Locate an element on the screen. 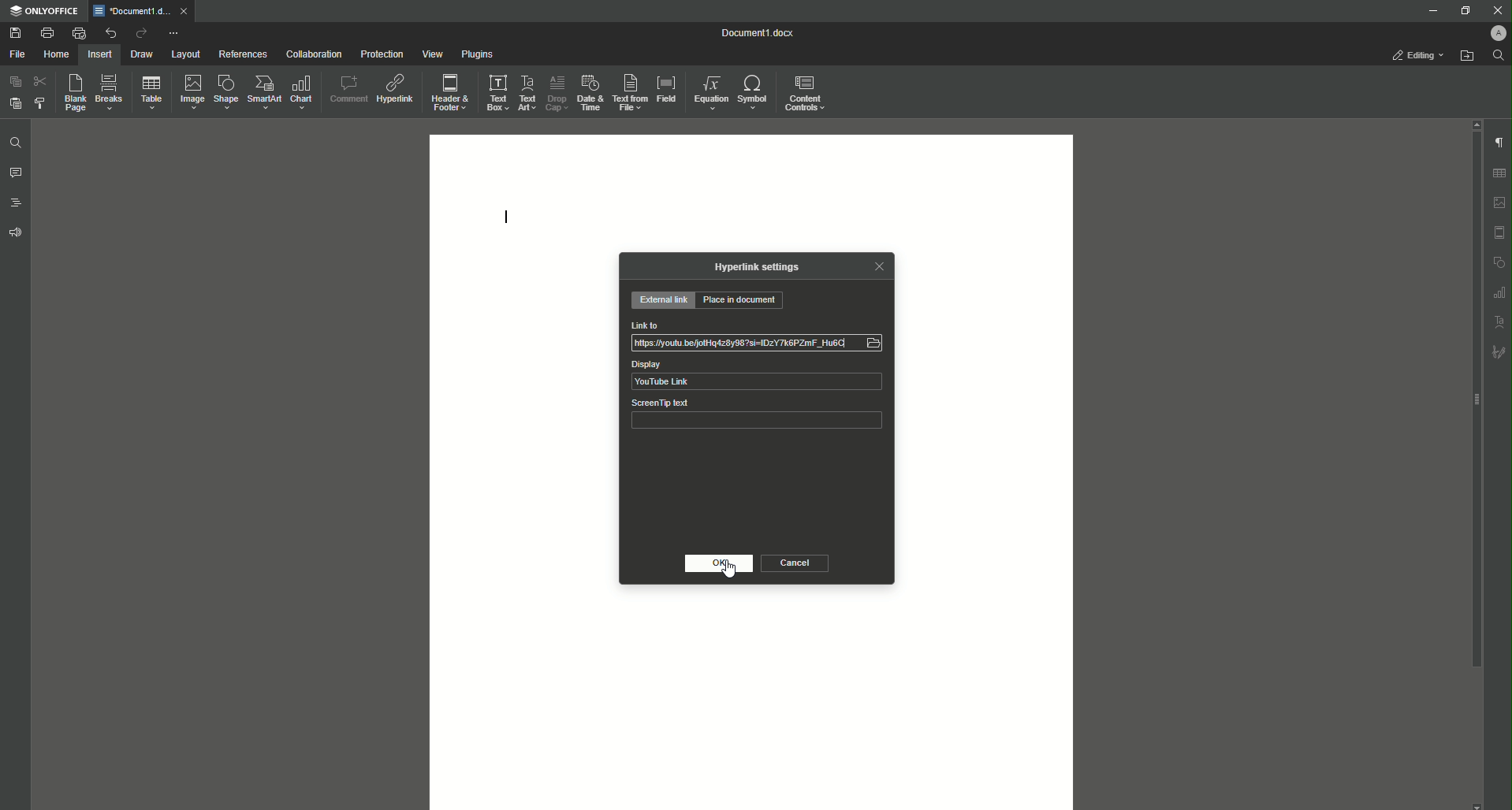 Image resolution: width=1512 pixels, height=810 pixels. Date and Time is located at coordinates (590, 93).